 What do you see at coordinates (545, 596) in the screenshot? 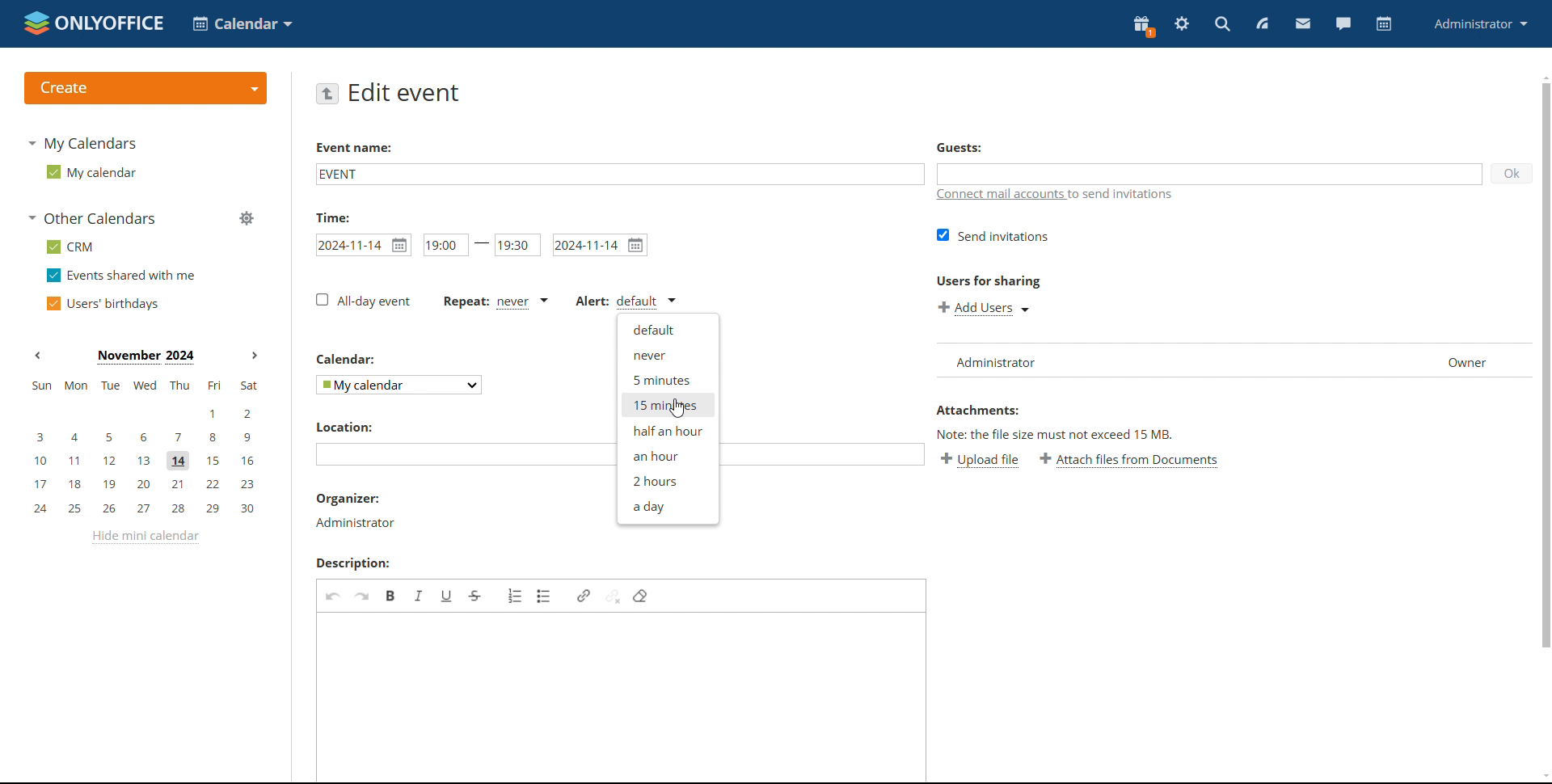
I see `insert/remove bulleted list` at bounding box center [545, 596].